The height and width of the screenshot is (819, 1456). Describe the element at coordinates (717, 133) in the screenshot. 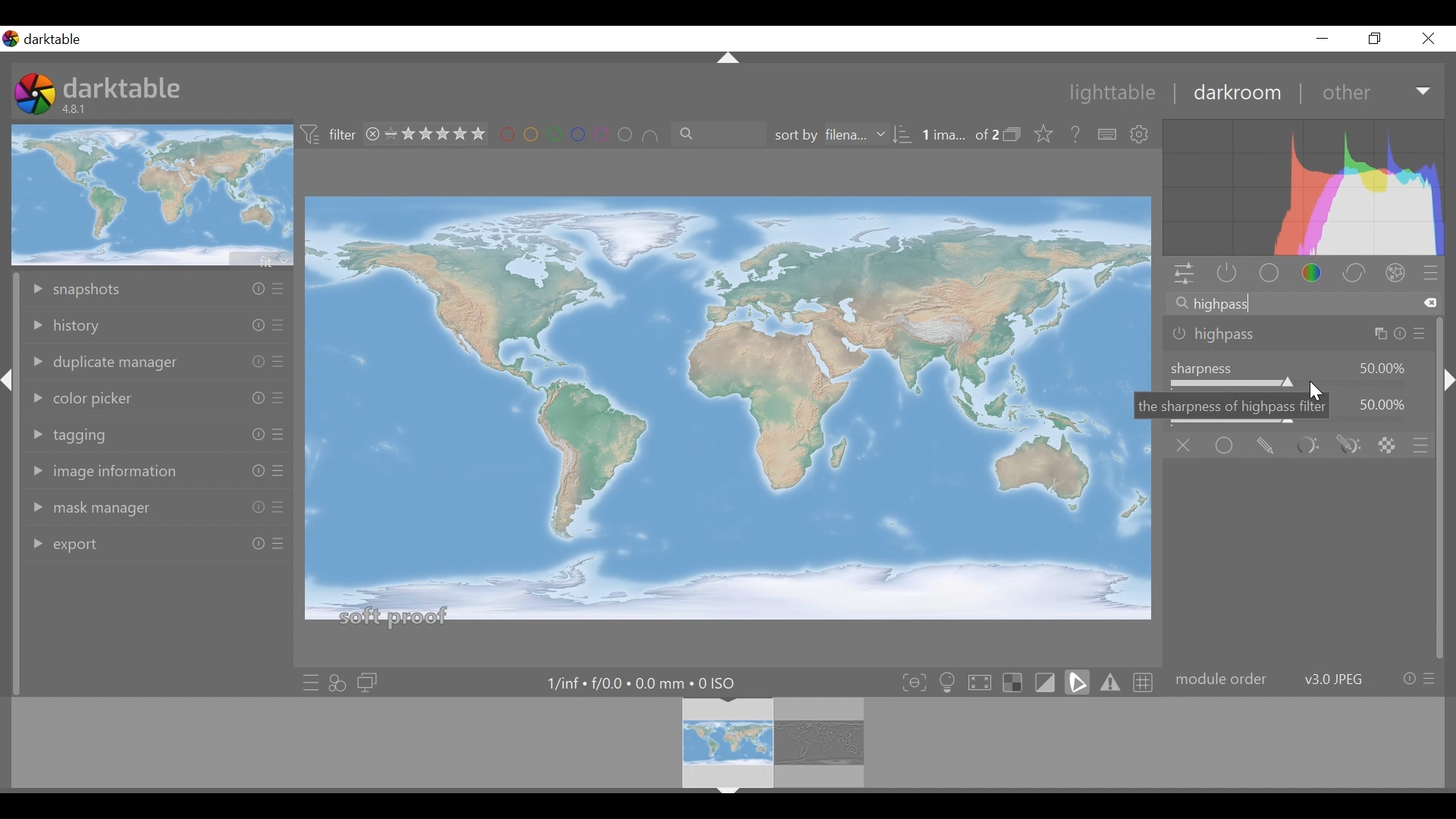

I see `filter by text from images` at that location.